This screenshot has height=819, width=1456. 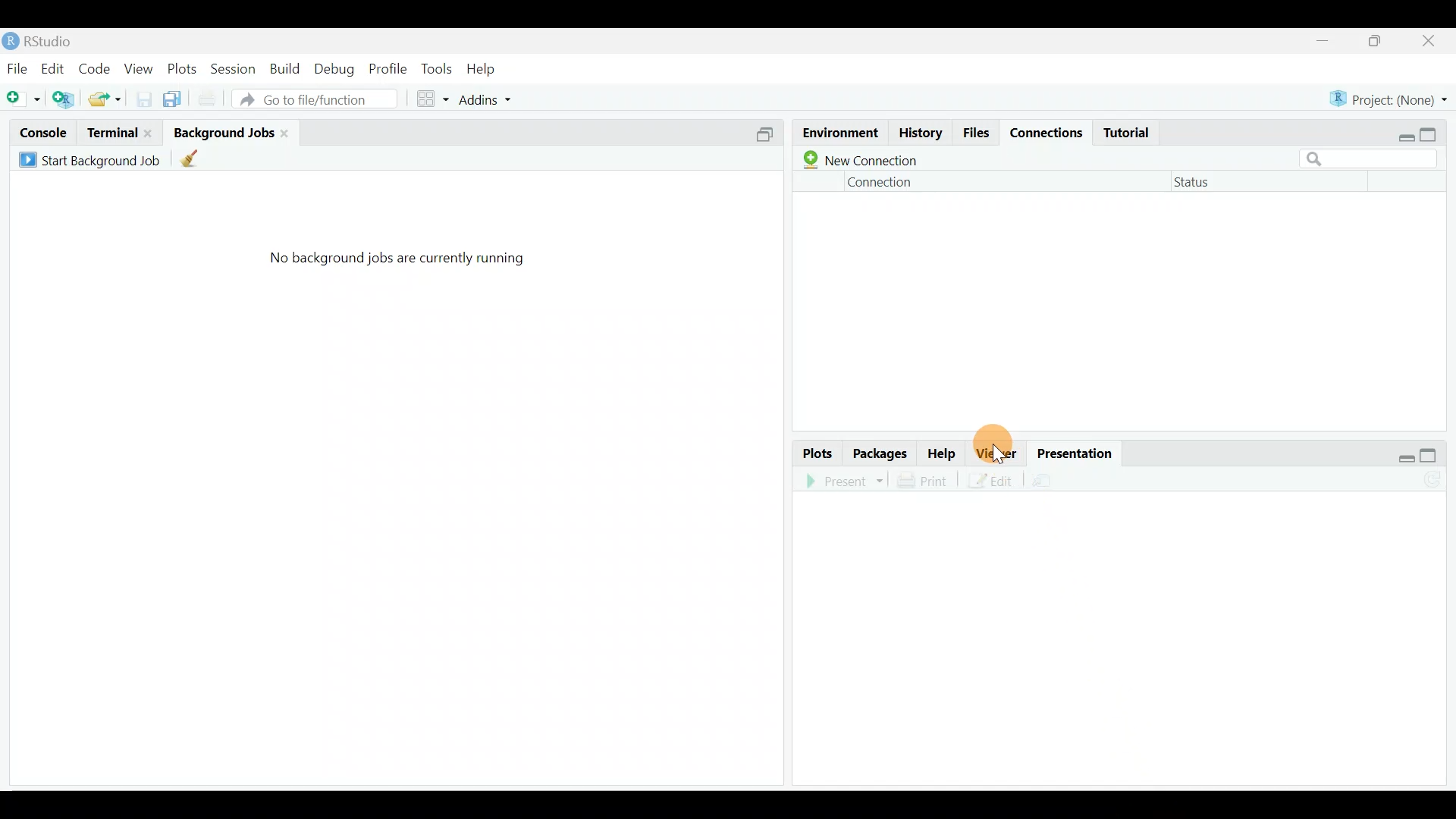 What do you see at coordinates (1437, 455) in the screenshot?
I see `Maximize` at bounding box center [1437, 455].